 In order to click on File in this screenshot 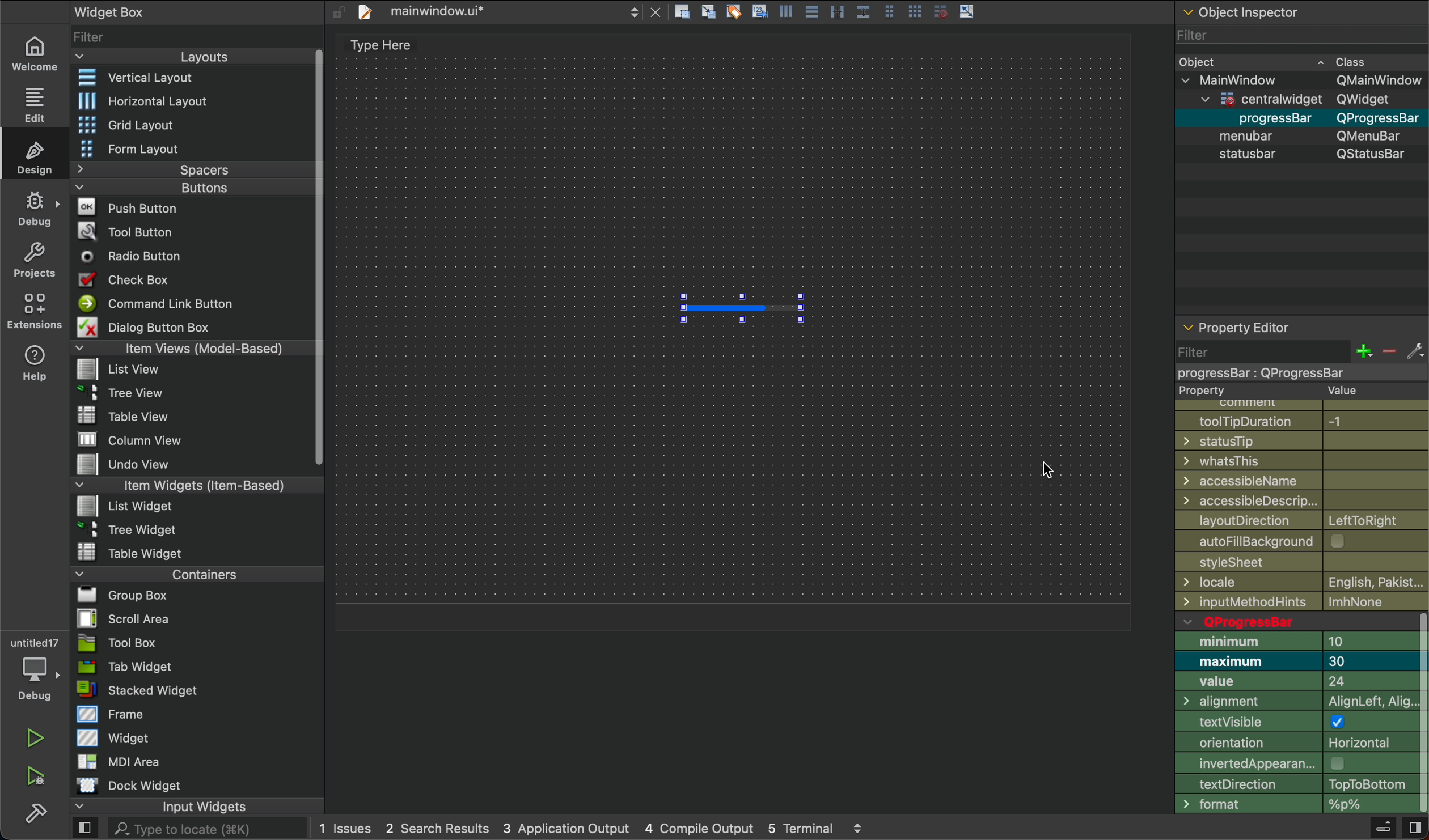, I will do `click(133, 440)`.